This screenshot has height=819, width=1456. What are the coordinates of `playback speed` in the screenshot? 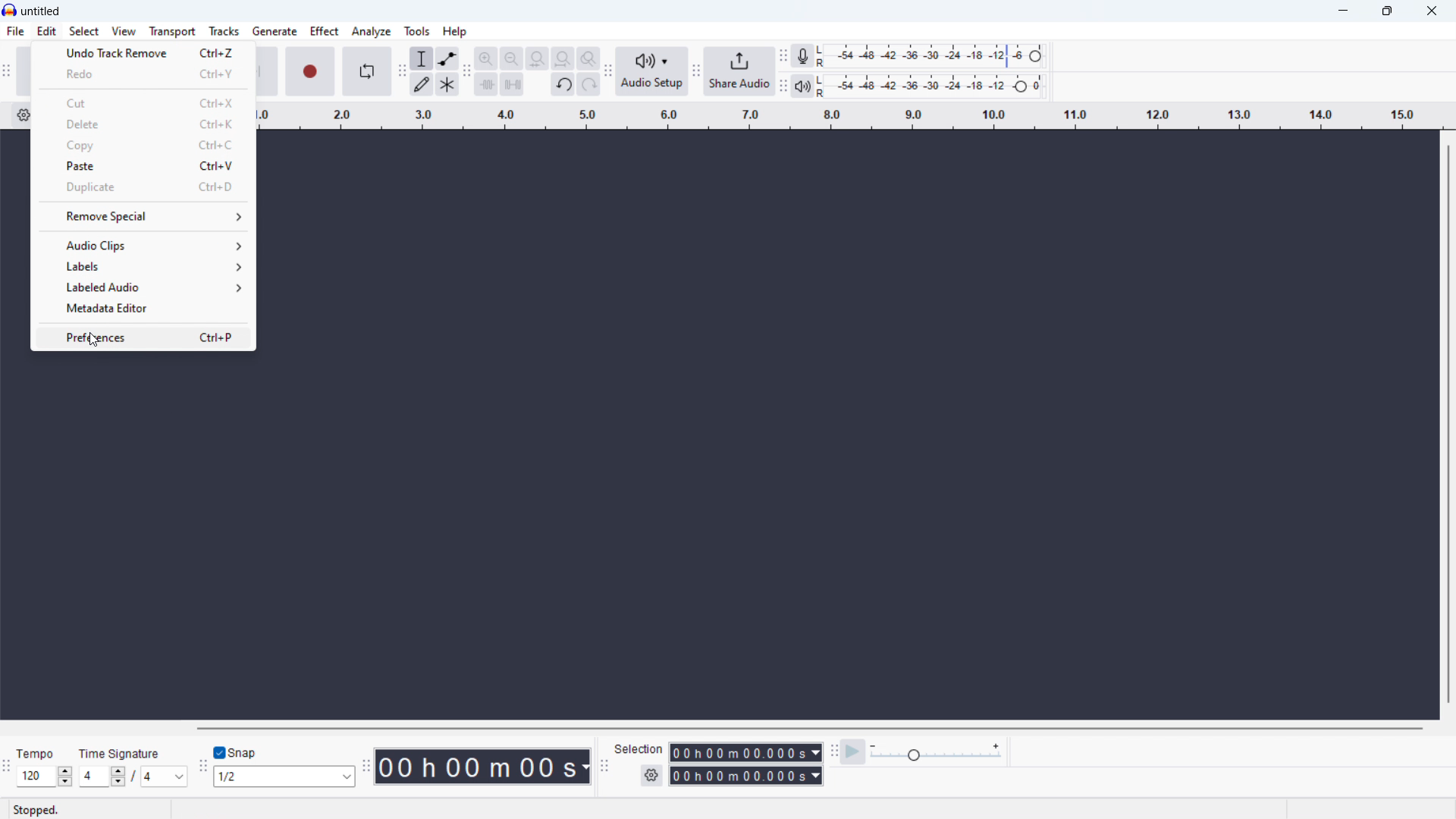 It's located at (936, 752).